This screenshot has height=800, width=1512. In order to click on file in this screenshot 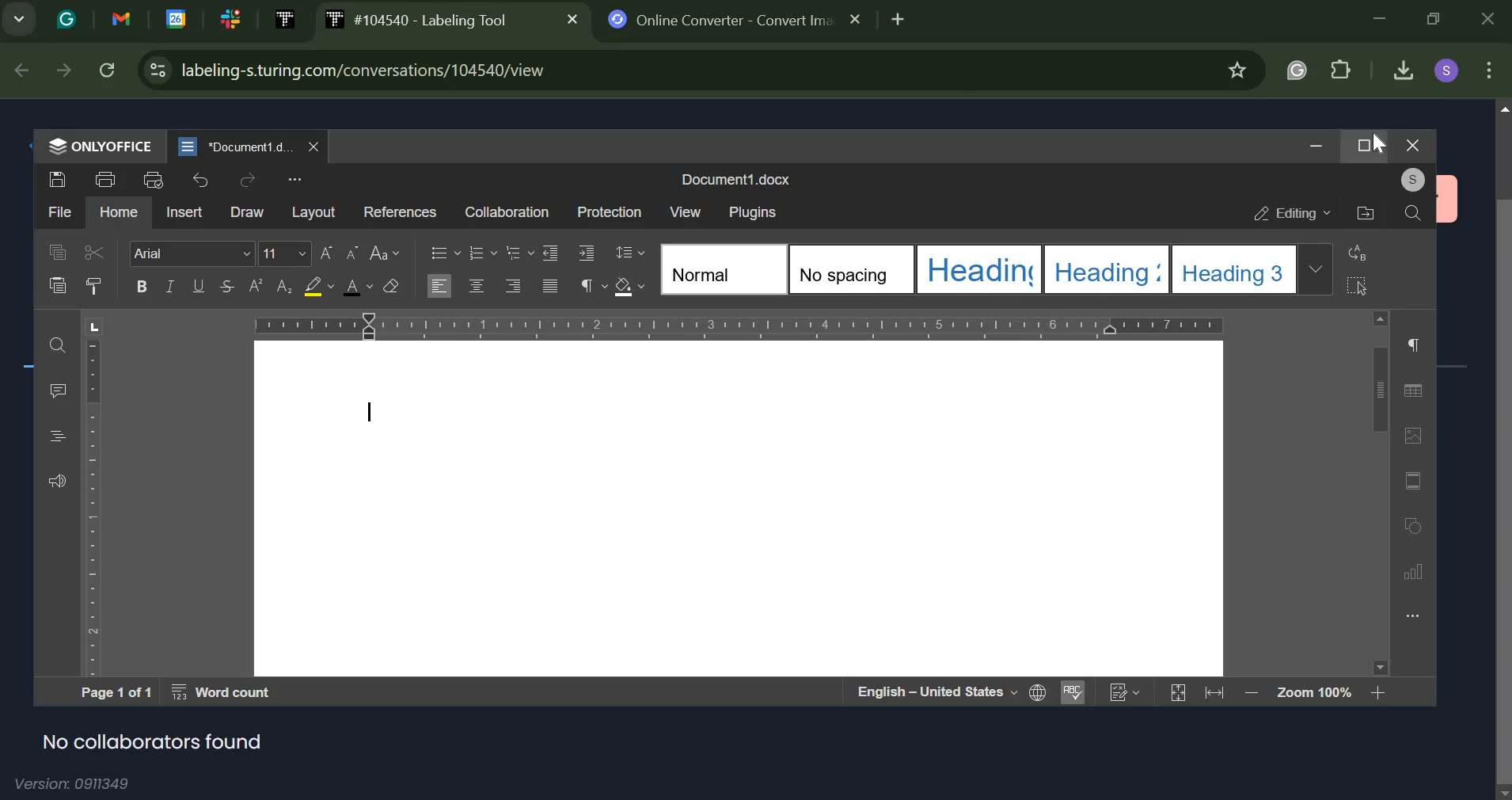, I will do `click(59, 210)`.